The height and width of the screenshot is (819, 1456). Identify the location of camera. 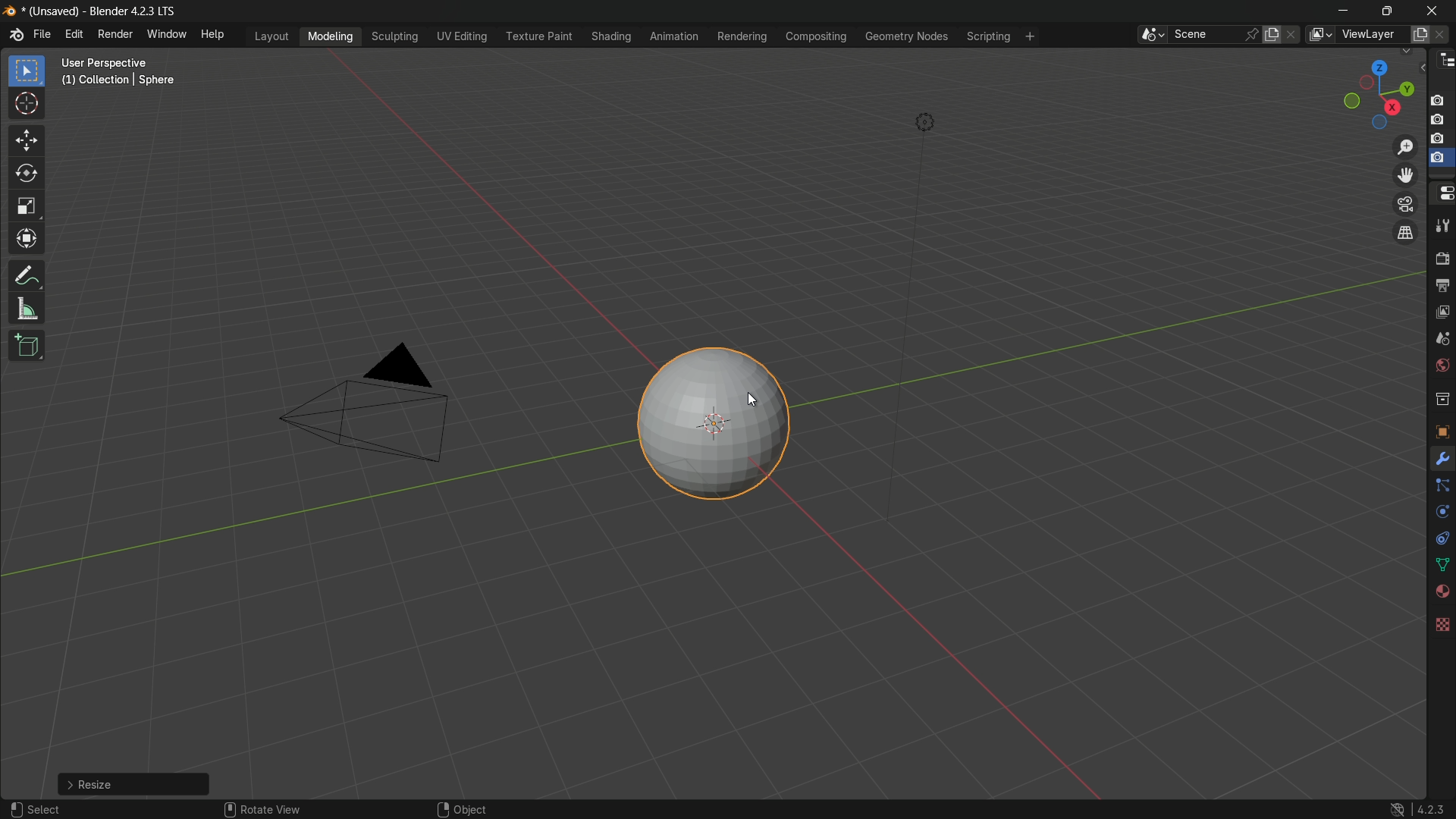
(371, 406).